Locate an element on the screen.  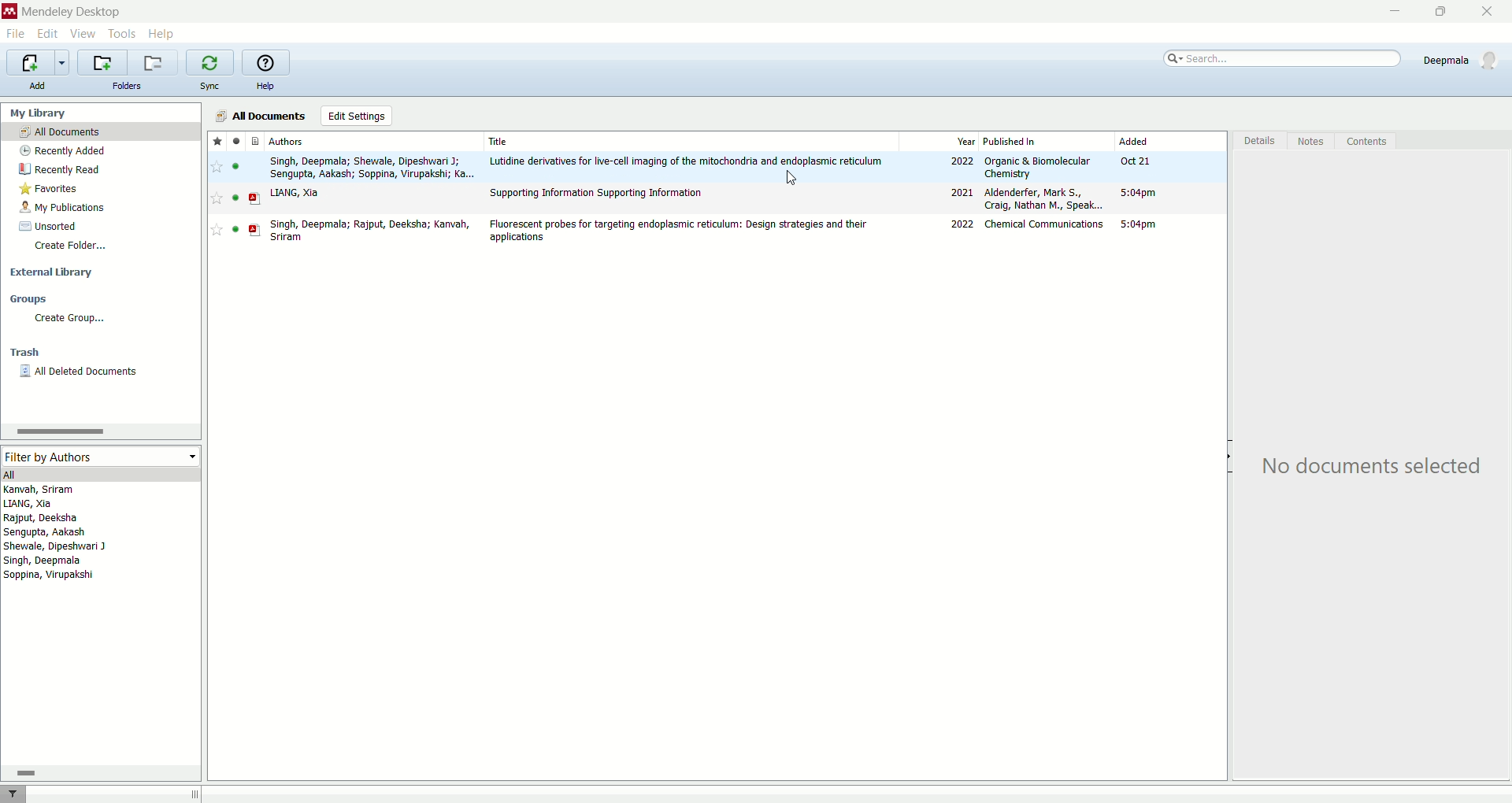
add is located at coordinates (35, 85).